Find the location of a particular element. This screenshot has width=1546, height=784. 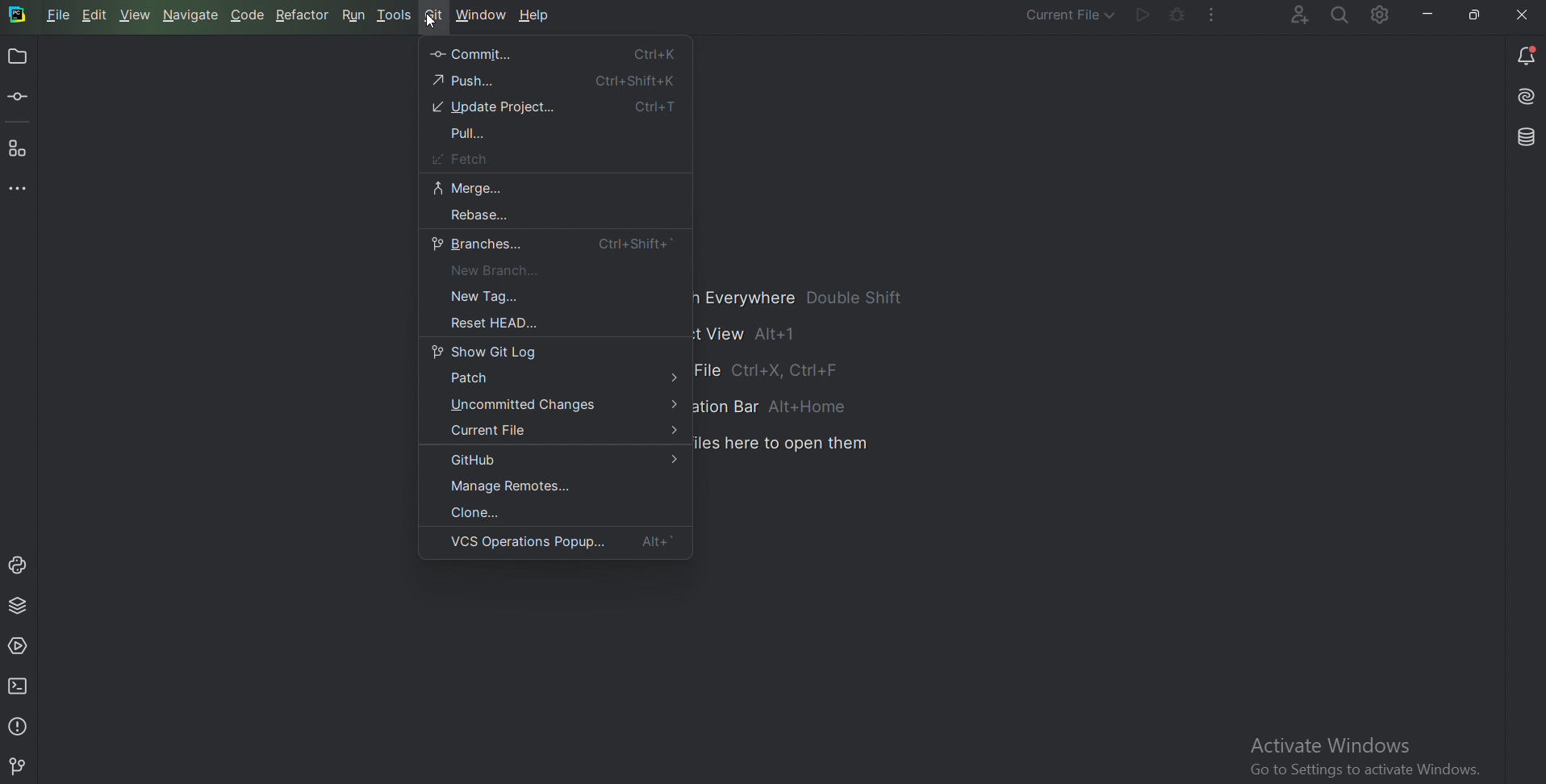

Help is located at coordinates (537, 18).